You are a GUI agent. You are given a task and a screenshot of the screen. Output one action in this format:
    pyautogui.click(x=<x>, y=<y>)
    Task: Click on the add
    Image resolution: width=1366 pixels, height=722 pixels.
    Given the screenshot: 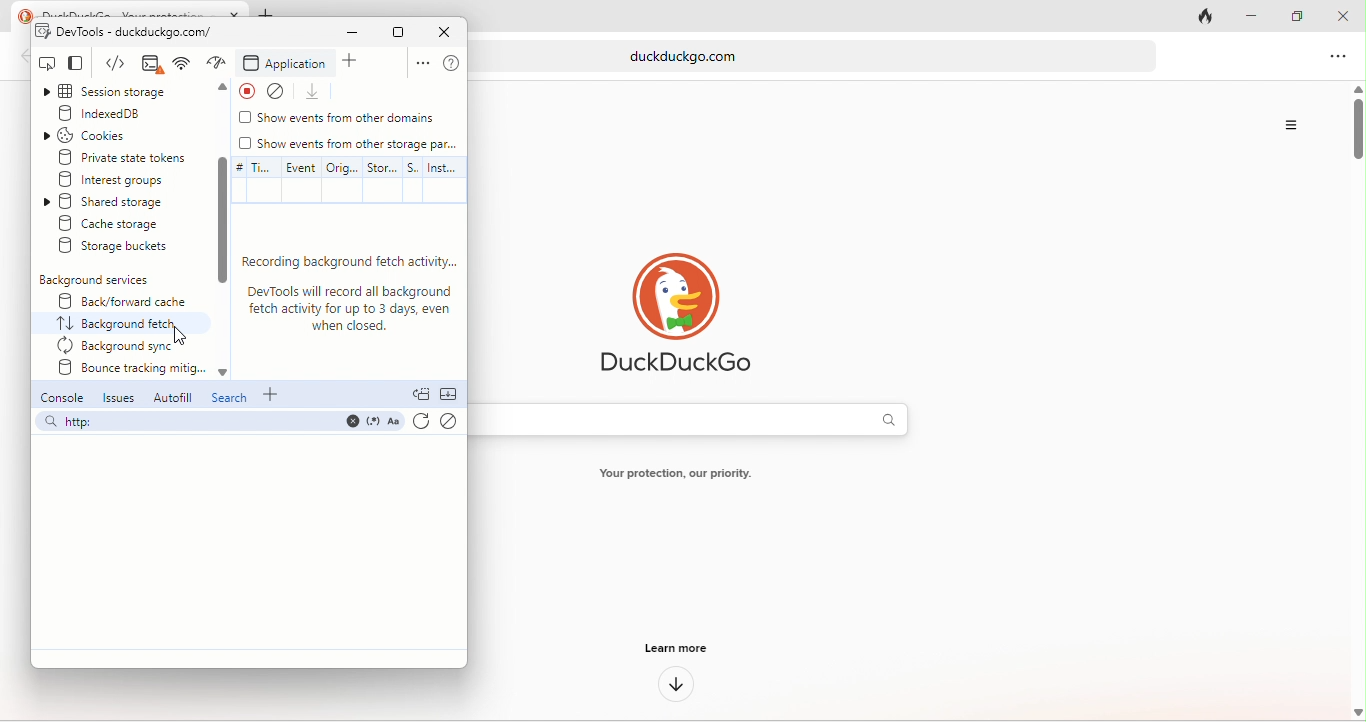 What is the action you would take?
    pyautogui.click(x=356, y=63)
    